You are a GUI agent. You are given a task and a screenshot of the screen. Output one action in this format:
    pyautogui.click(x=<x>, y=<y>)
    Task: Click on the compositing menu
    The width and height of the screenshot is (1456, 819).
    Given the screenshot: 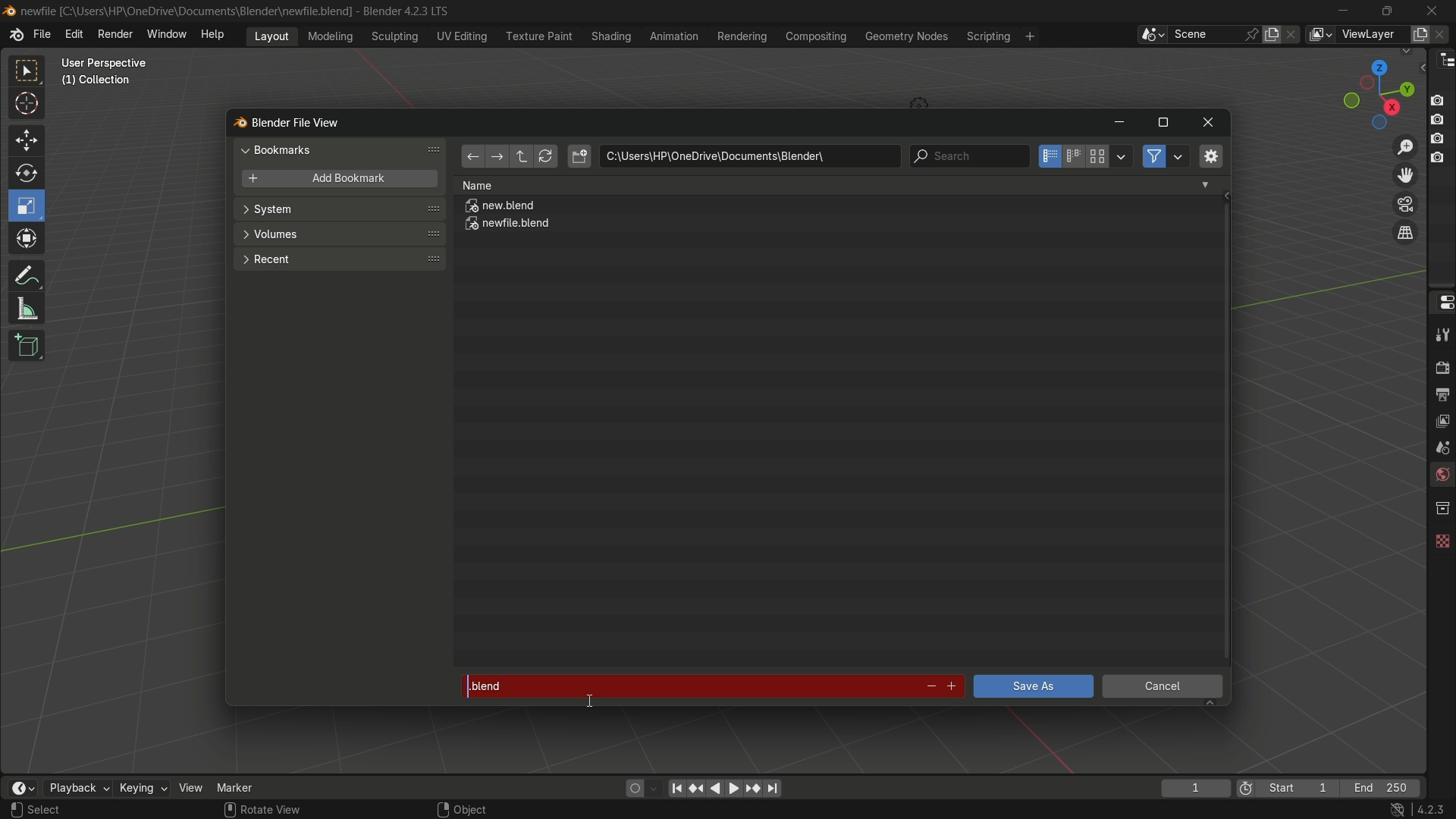 What is the action you would take?
    pyautogui.click(x=817, y=36)
    